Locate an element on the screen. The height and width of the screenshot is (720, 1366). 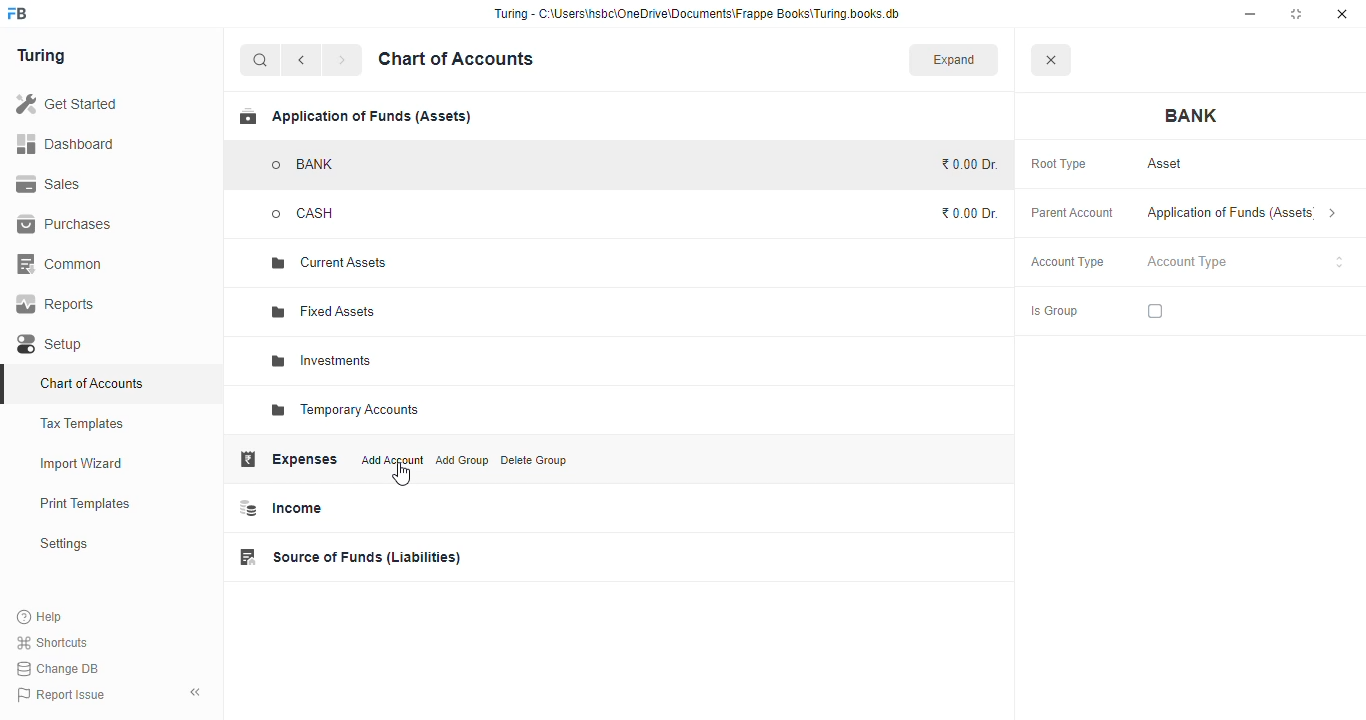
common is located at coordinates (61, 264).